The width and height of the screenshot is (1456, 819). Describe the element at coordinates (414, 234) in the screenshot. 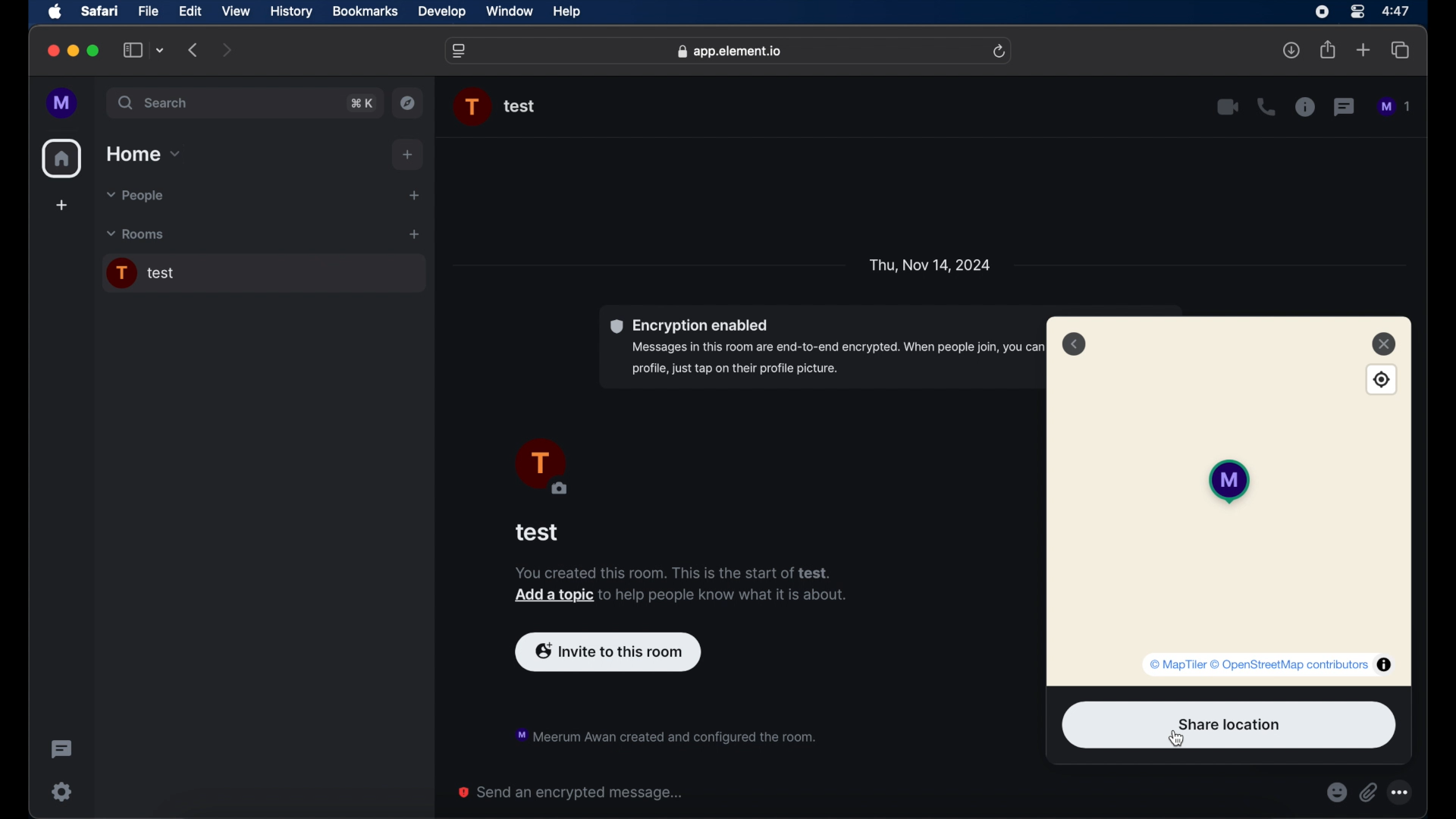

I see `add  room` at that location.